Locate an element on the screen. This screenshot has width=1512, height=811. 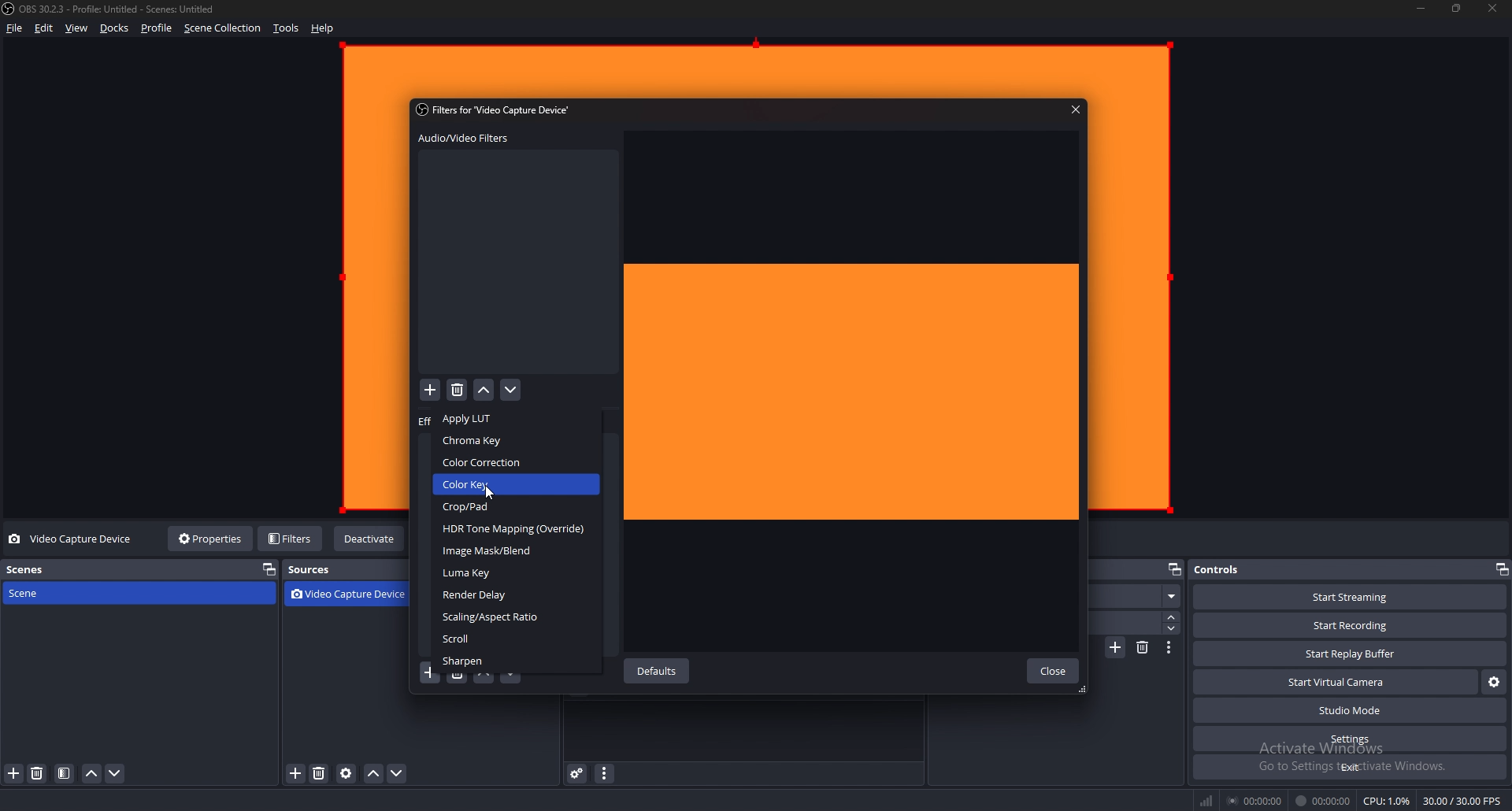
scene collection is located at coordinates (223, 28).